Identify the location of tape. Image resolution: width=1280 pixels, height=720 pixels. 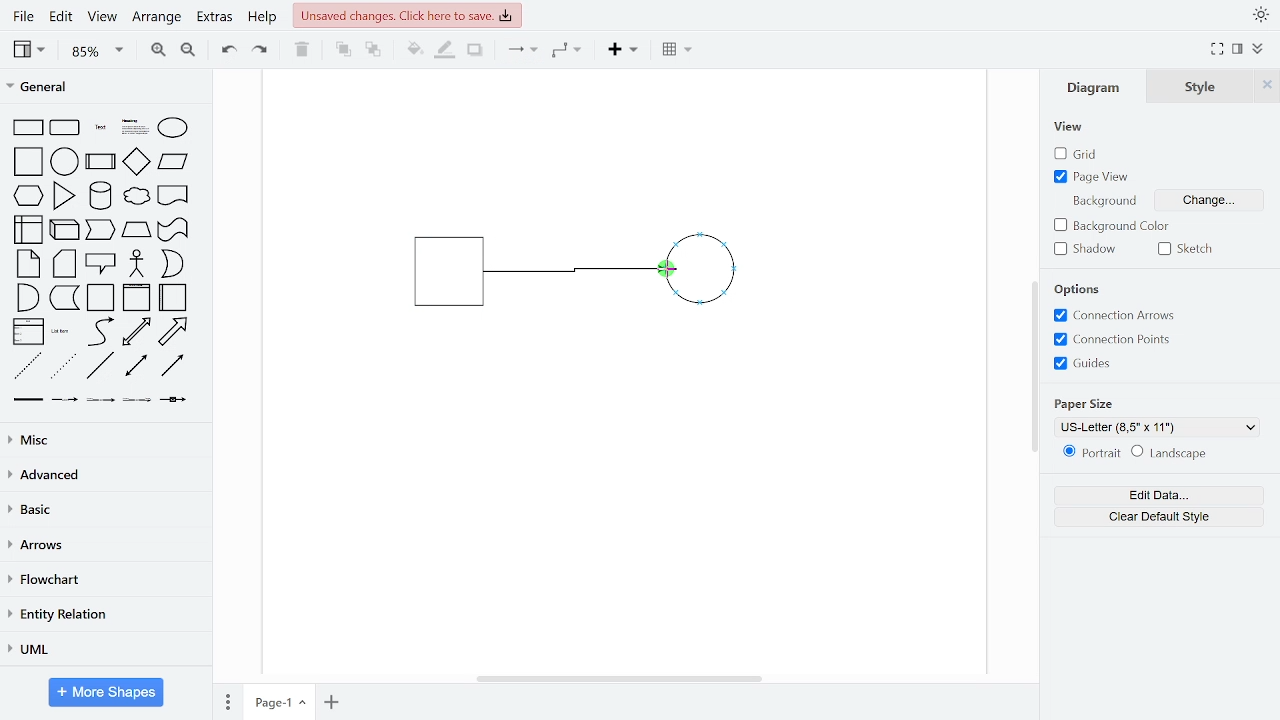
(171, 230).